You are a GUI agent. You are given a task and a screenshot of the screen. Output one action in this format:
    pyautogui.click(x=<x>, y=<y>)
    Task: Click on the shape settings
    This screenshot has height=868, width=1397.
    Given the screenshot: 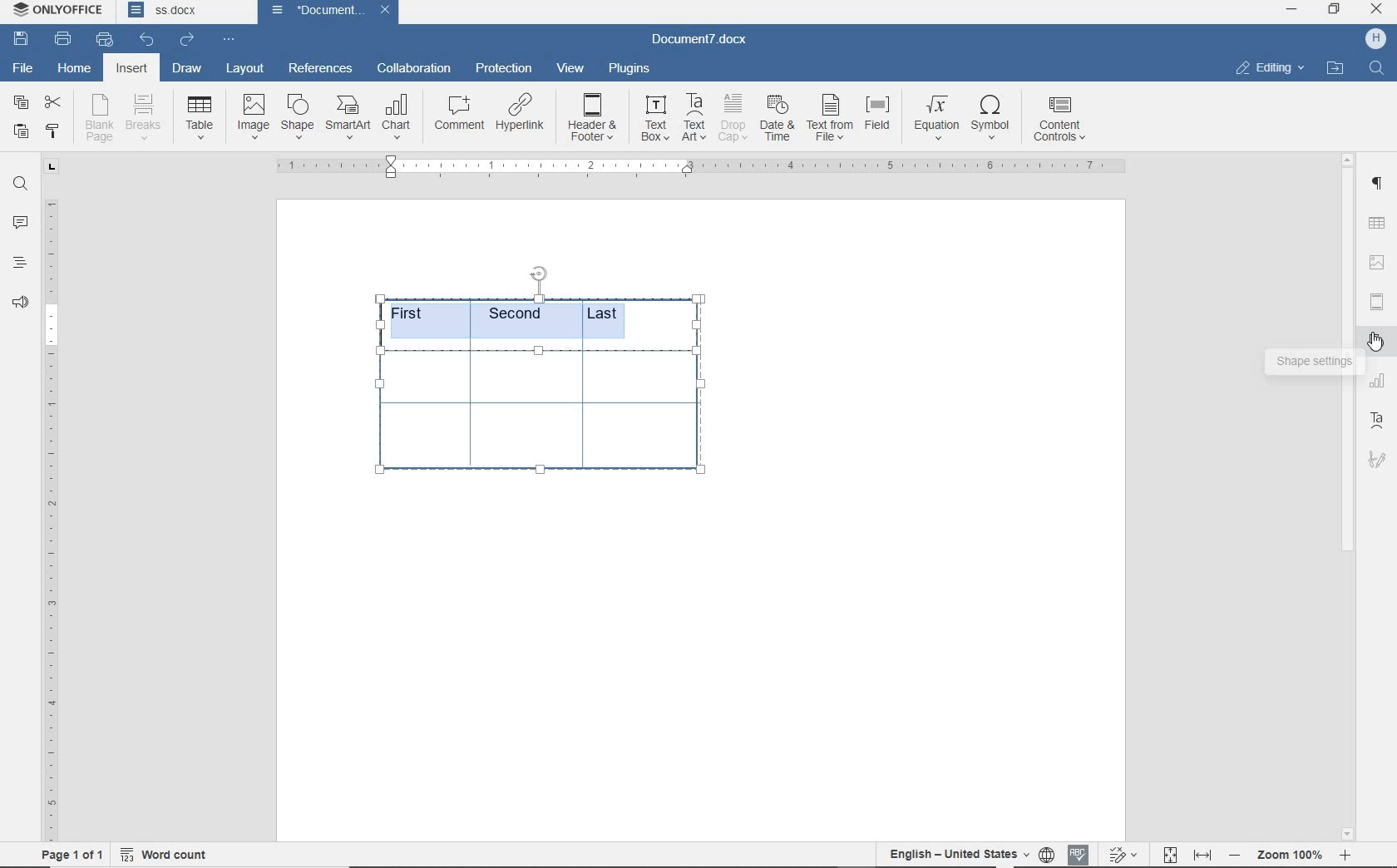 What is the action you would take?
    pyautogui.click(x=1375, y=343)
    